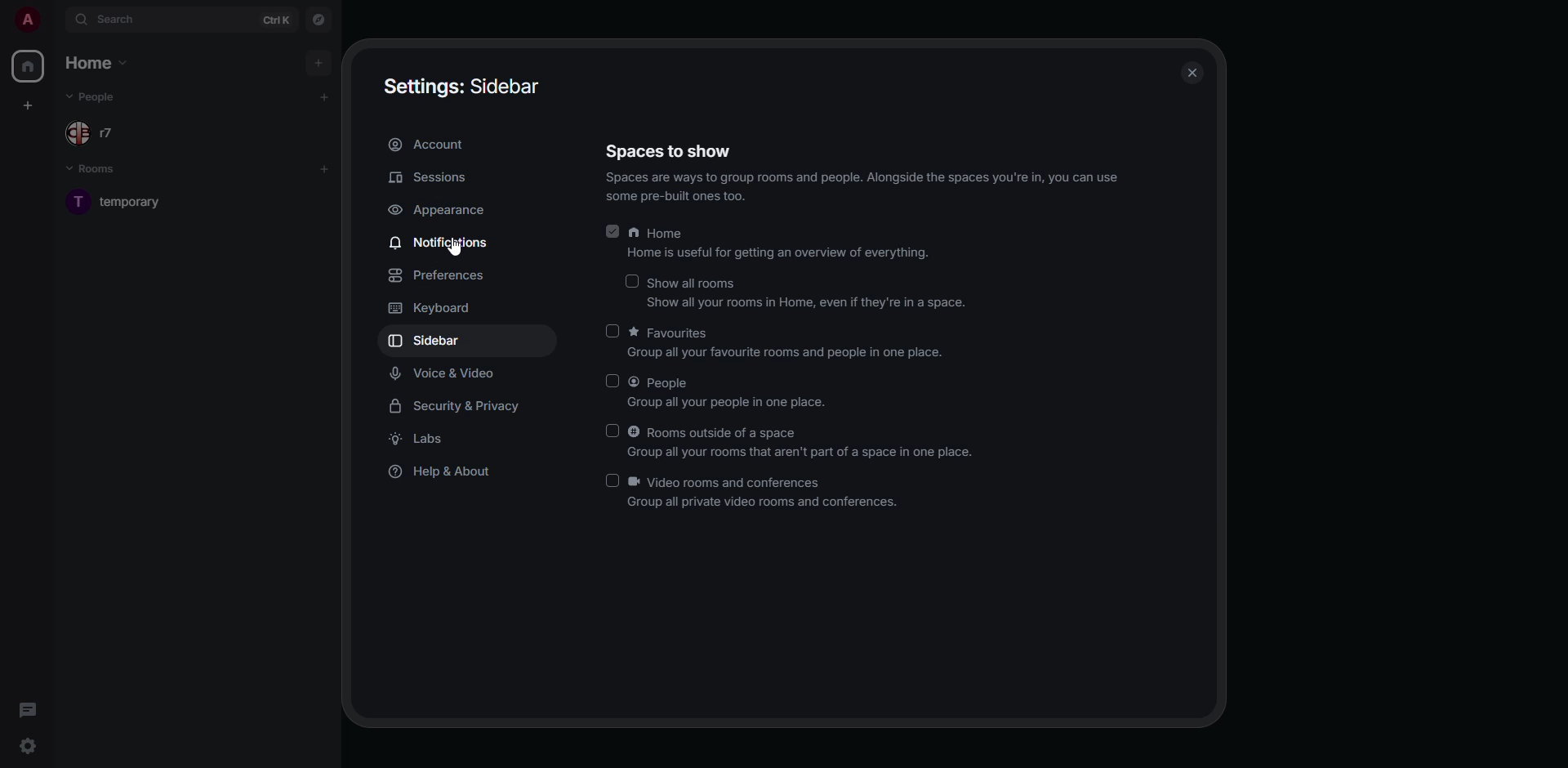  I want to click on labs, so click(419, 440).